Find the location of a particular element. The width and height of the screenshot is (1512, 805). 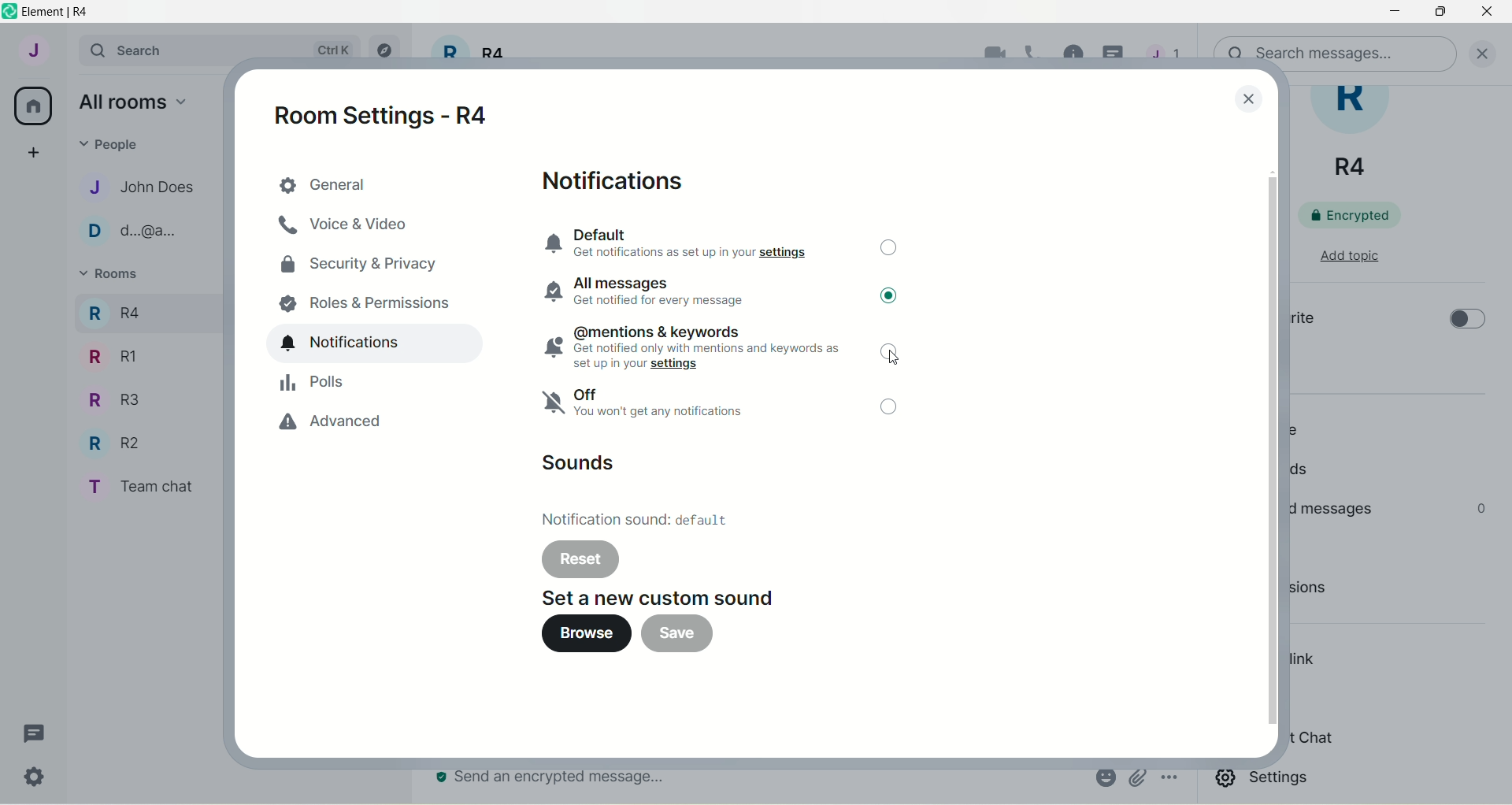

account is located at coordinates (32, 50).